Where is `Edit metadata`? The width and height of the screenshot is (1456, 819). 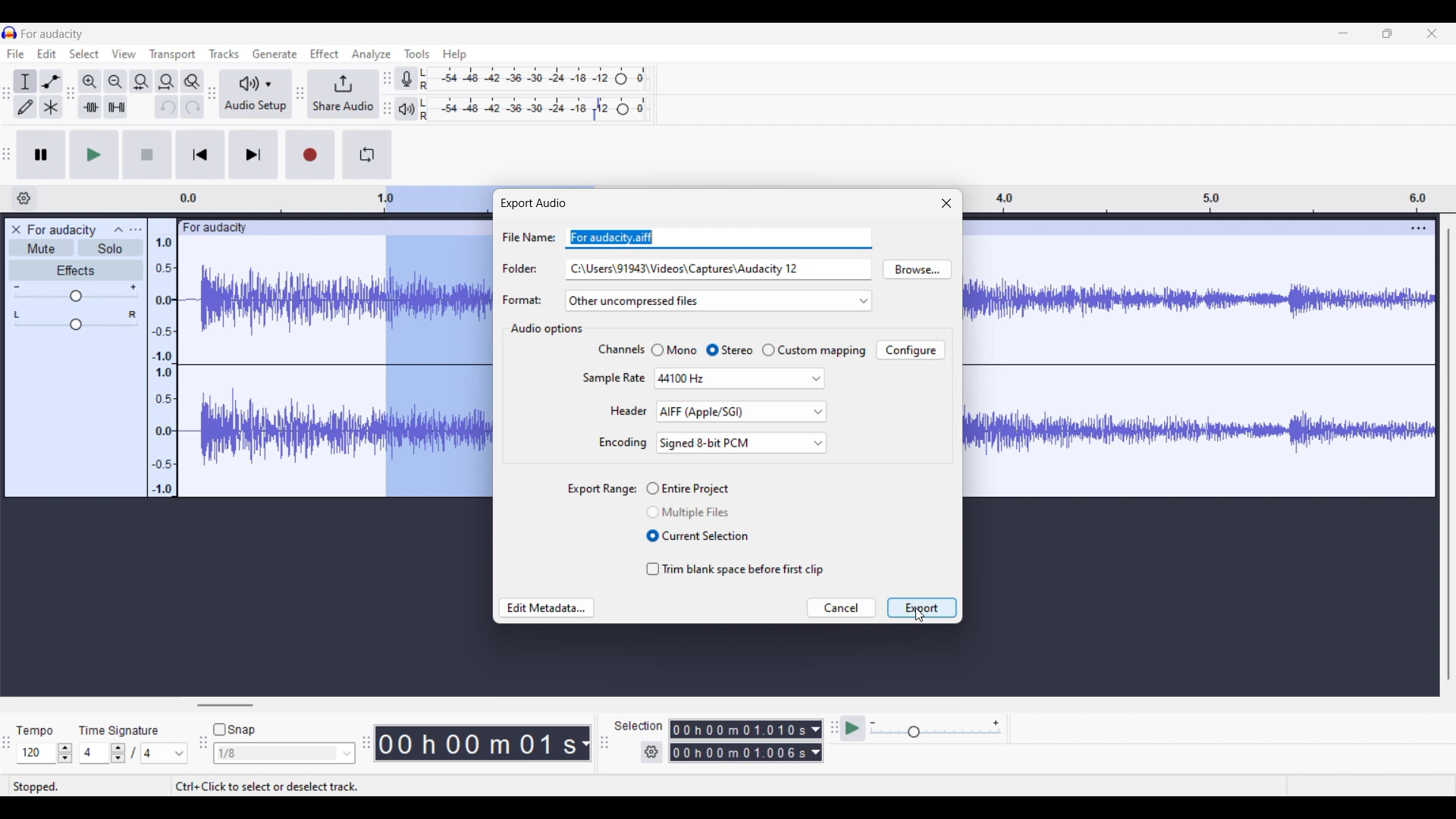
Edit metadata is located at coordinates (547, 607).